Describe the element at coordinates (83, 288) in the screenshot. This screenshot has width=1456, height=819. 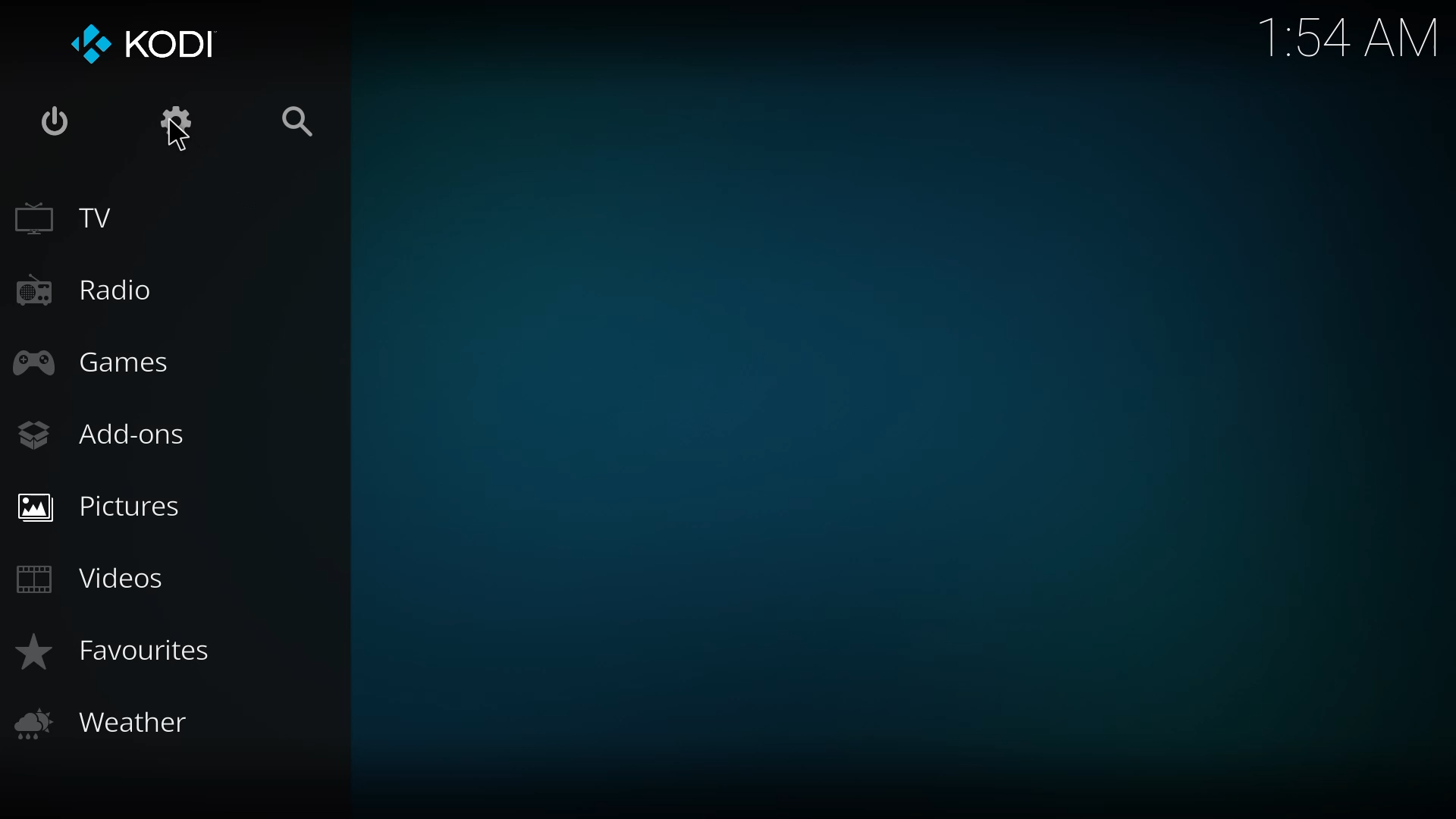
I see `radio` at that location.